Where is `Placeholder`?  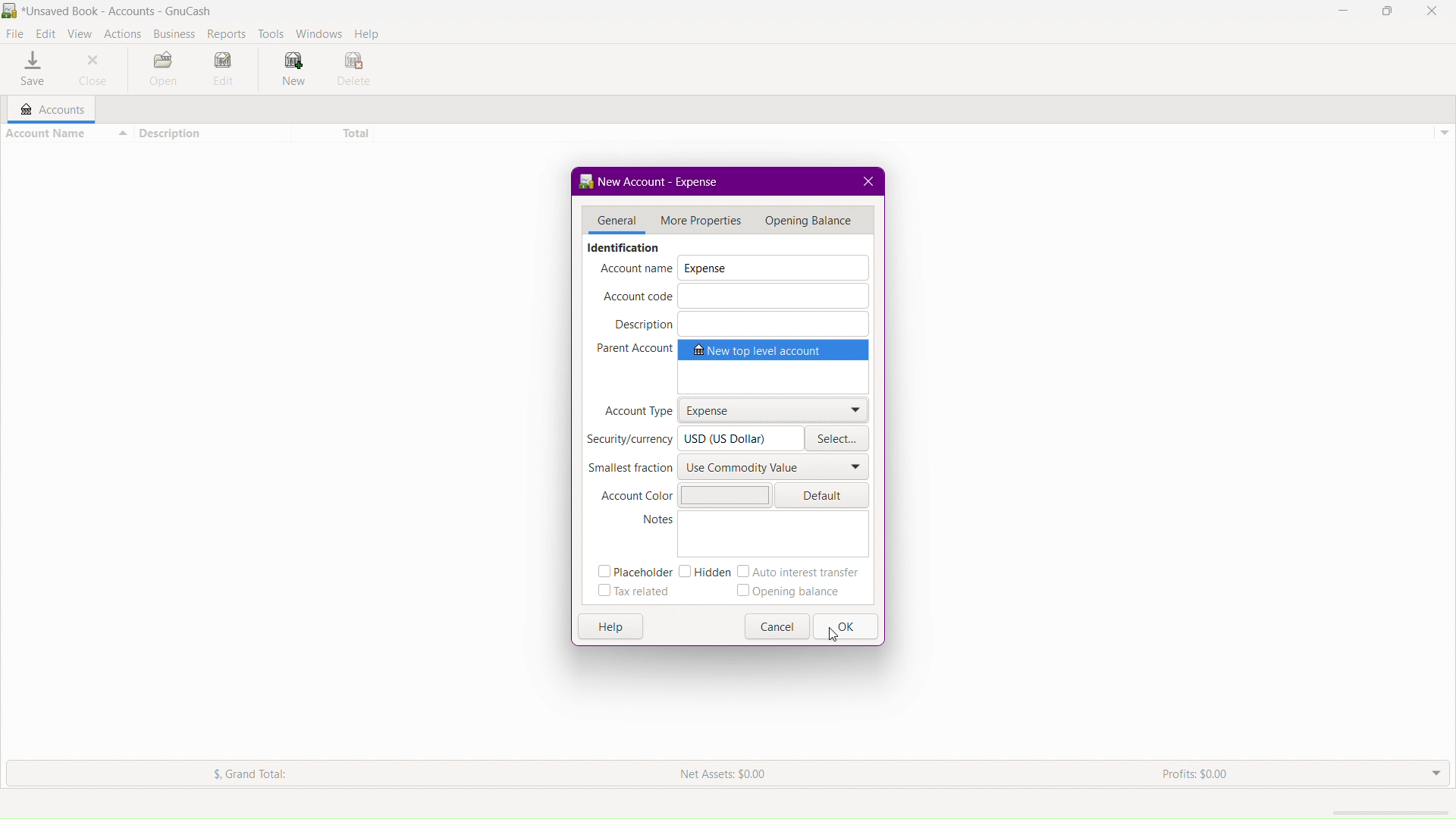
Placeholder is located at coordinates (632, 573).